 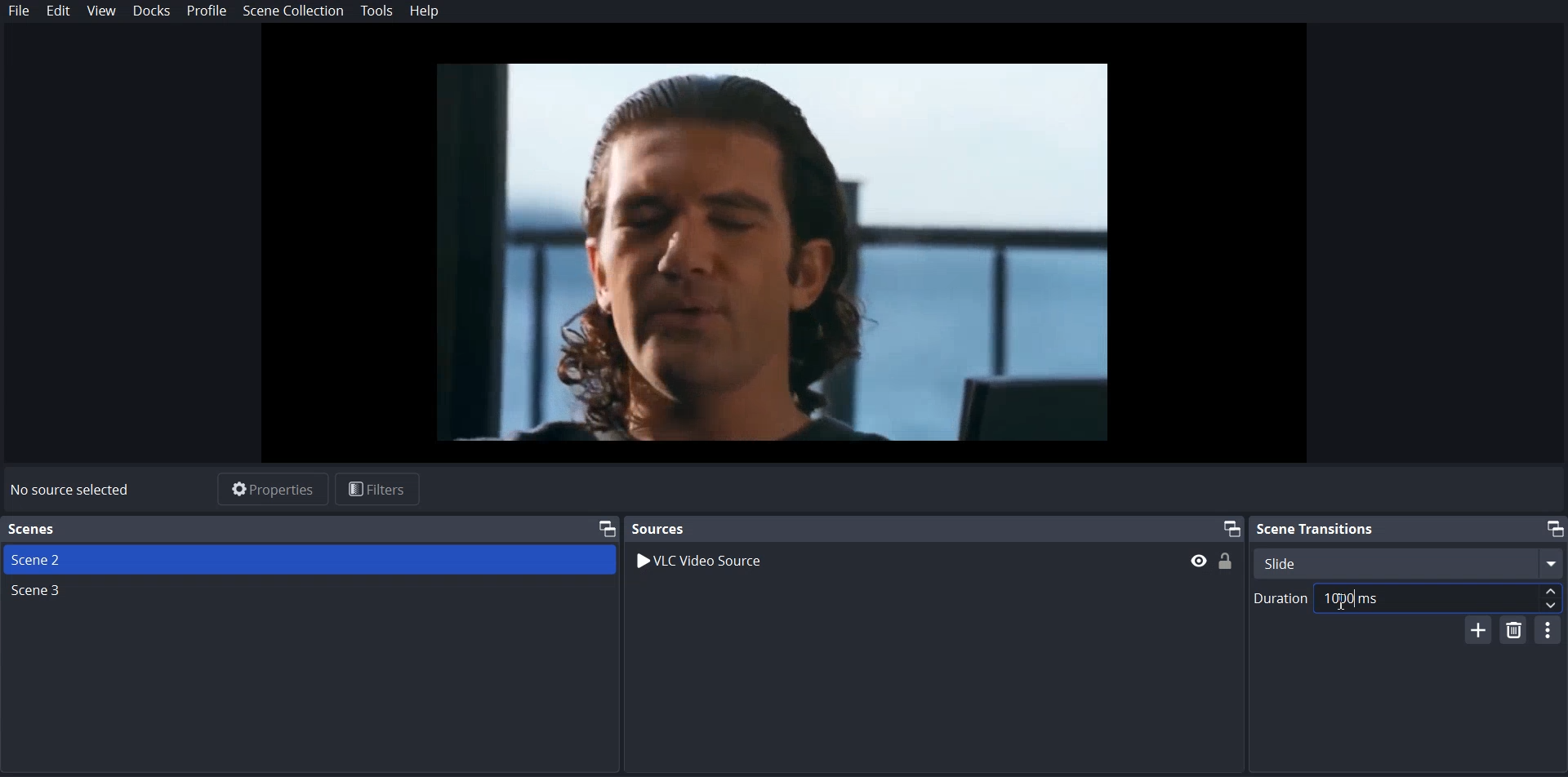 I want to click on Text 1, so click(x=310, y=529).